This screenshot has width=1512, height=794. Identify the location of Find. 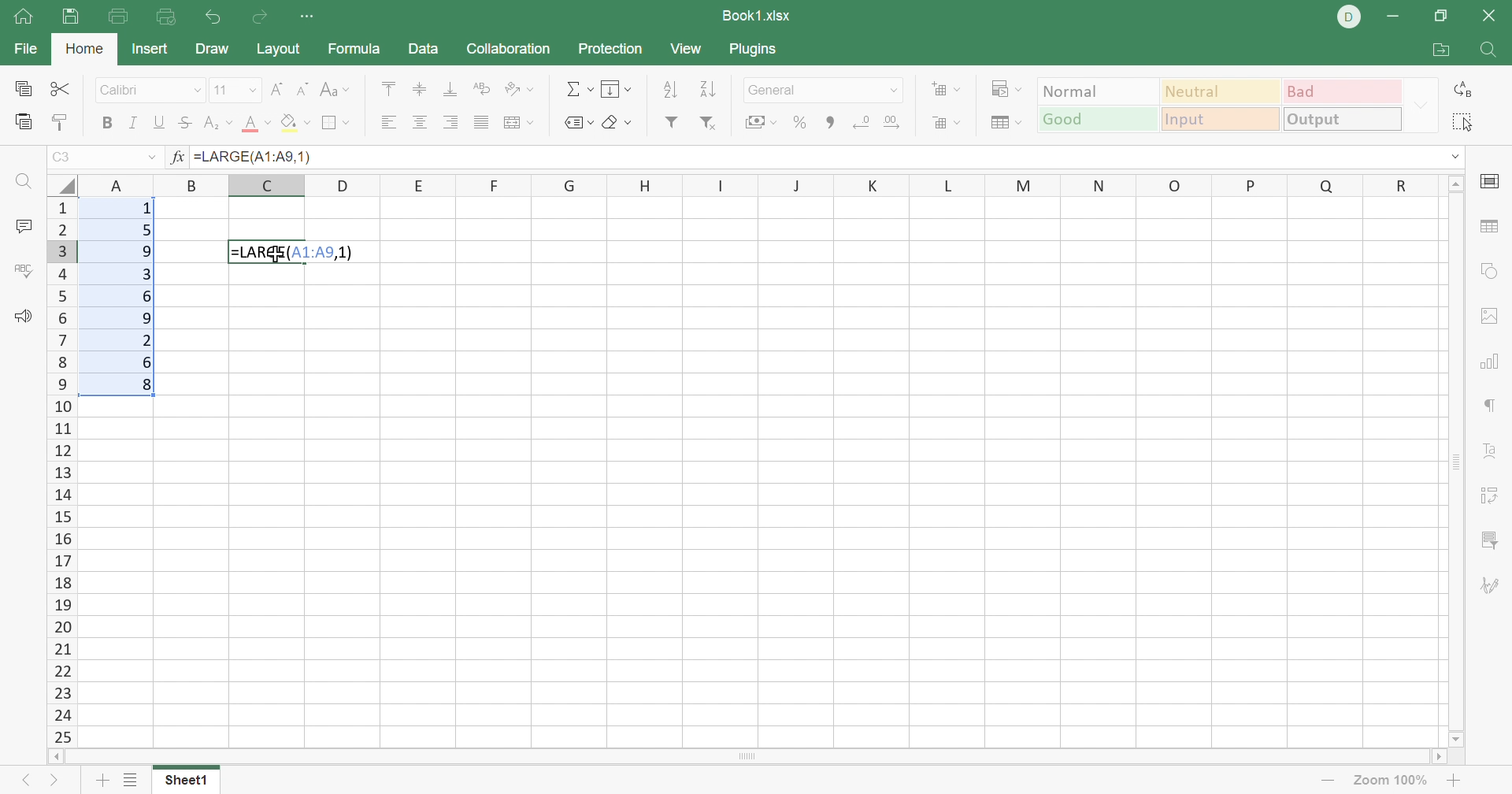
(29, 182).